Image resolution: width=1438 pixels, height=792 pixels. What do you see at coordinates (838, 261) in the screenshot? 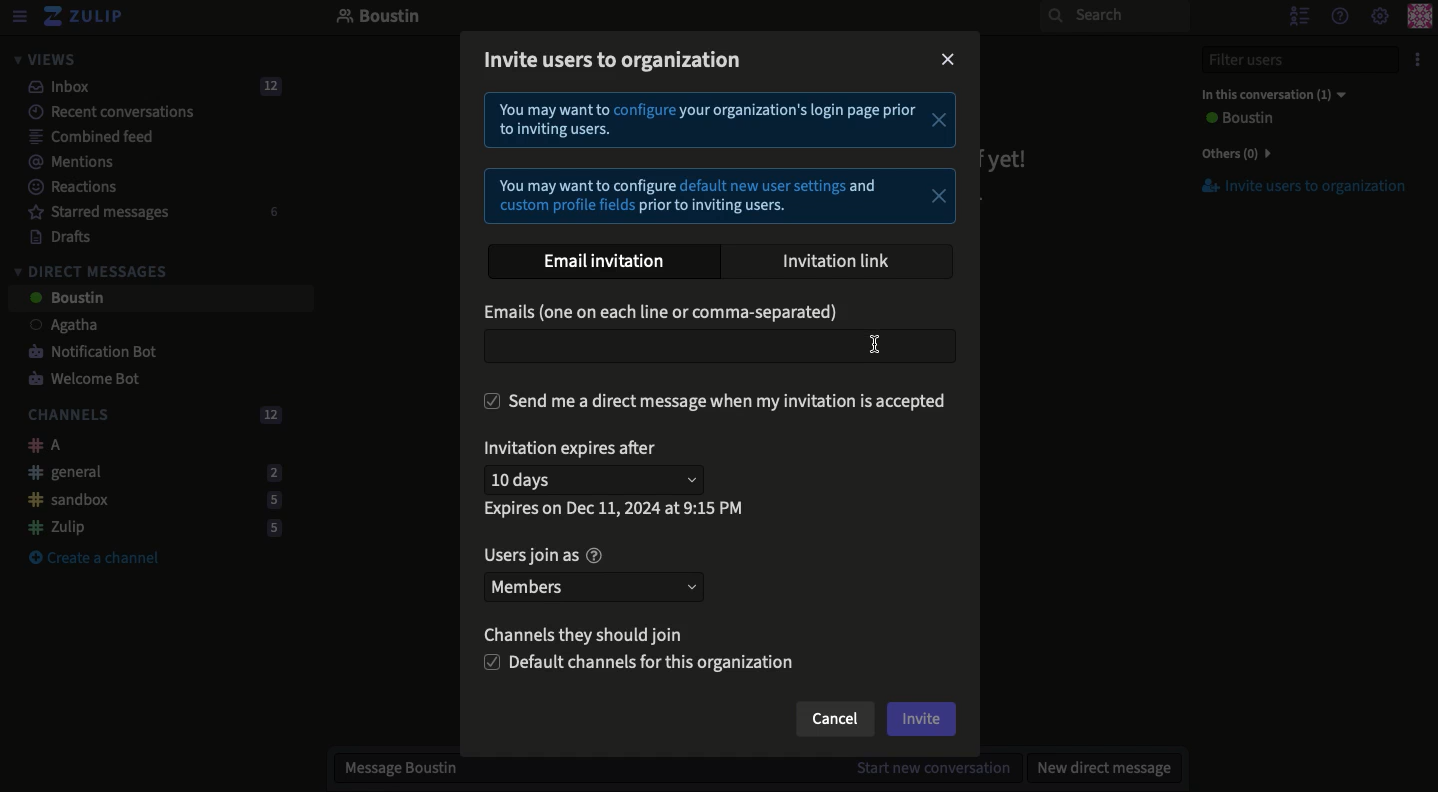
I see `Invitation link` at bounding box center [838, 261].